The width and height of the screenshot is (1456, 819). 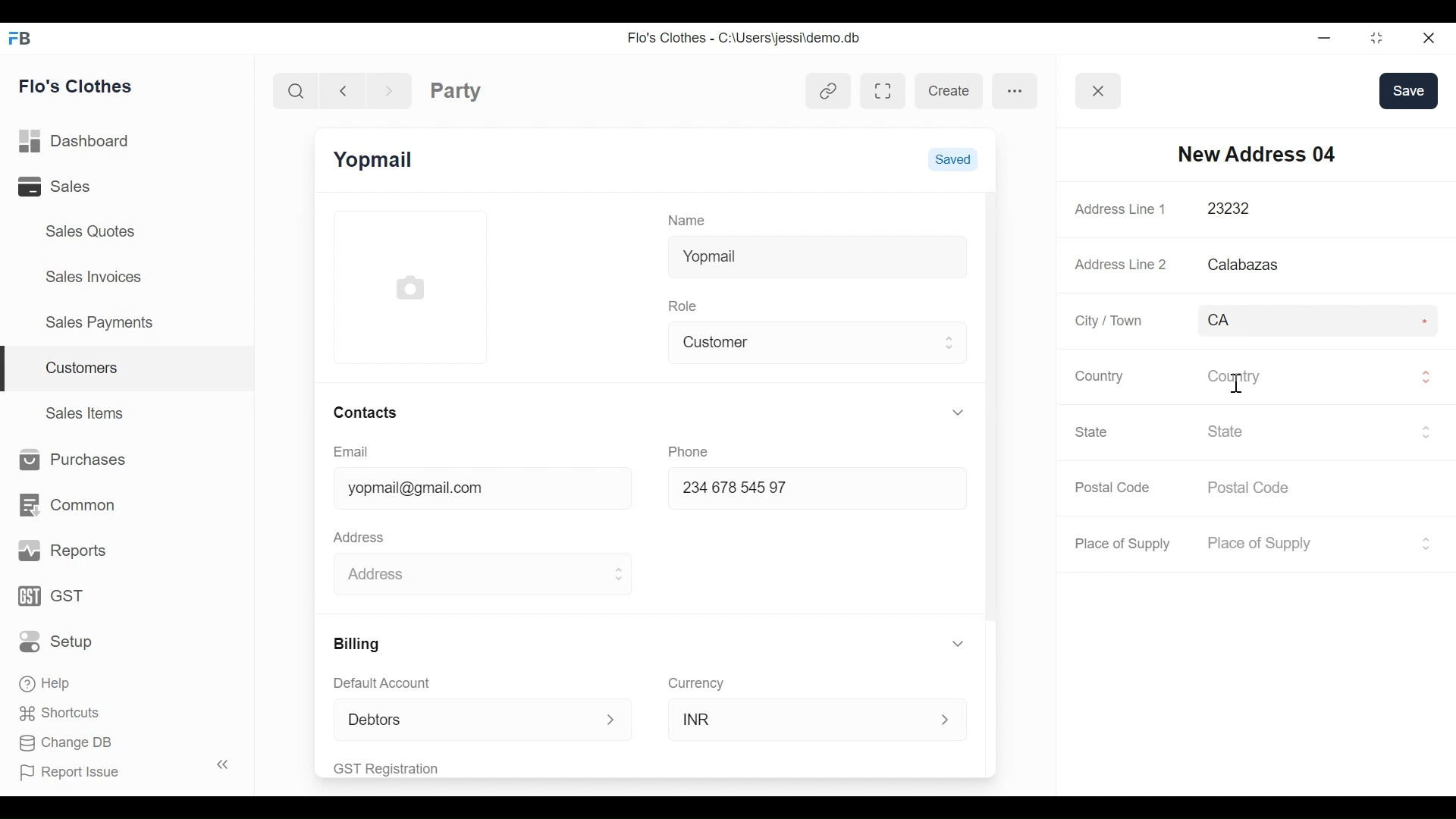 What do you see at coordinates (952, 158) in the screenshot?
I see `Saved` at bounding box center [952, 158].